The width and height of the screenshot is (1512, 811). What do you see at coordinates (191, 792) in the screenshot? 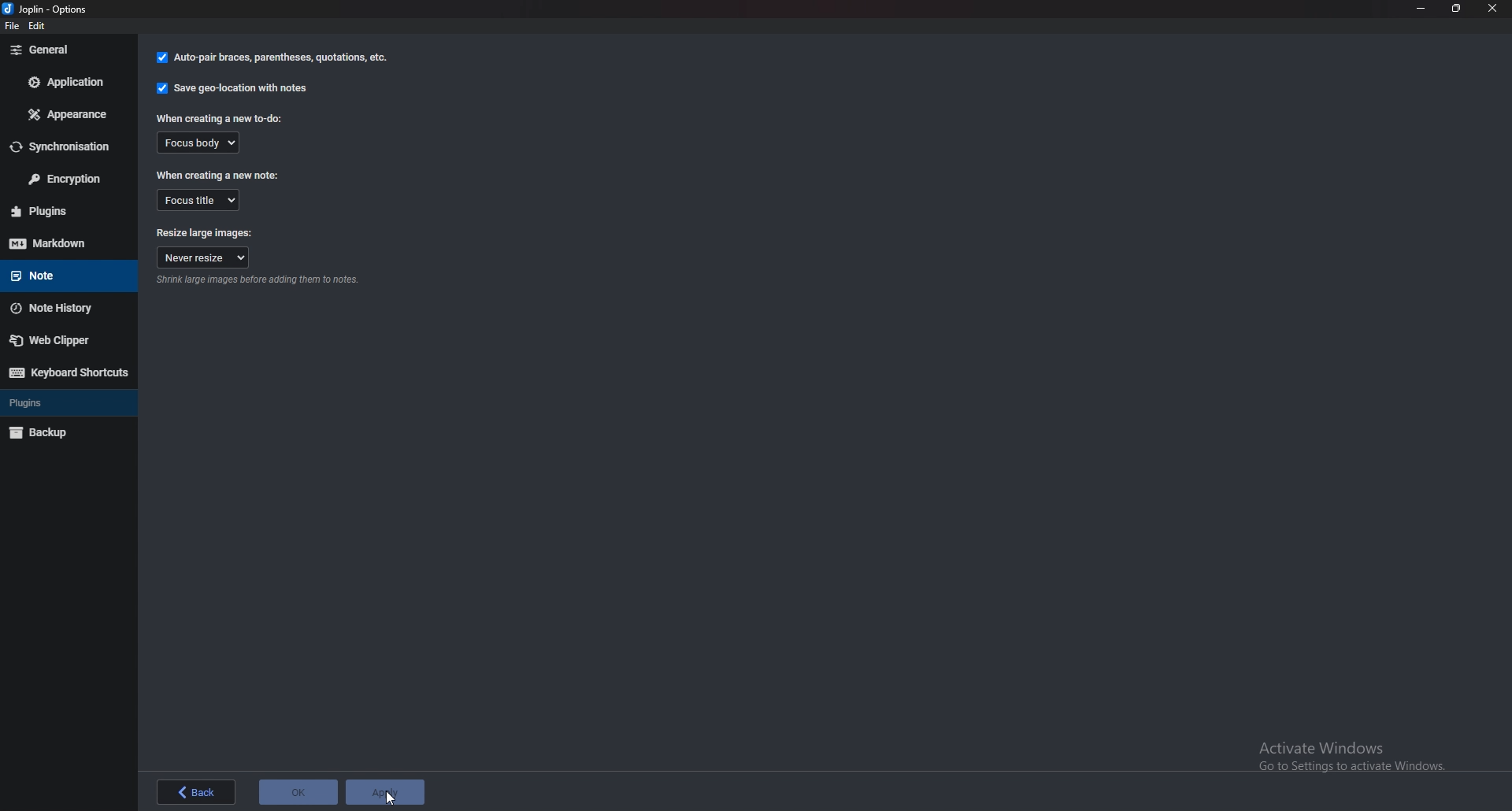
I see `back` at bounding box center [191, 792].